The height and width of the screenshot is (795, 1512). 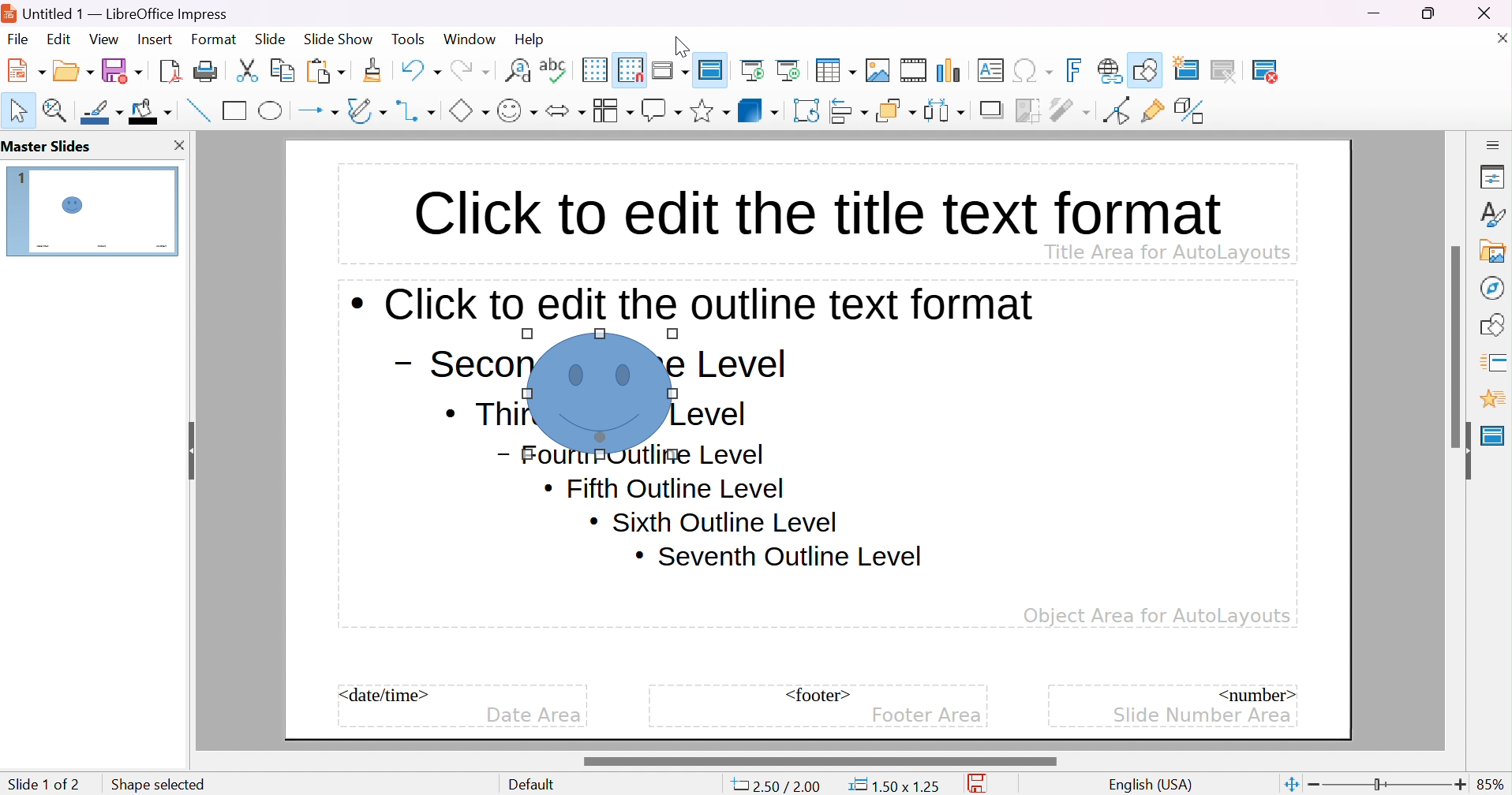 I want to click on close, so click(x=1493, y=13).